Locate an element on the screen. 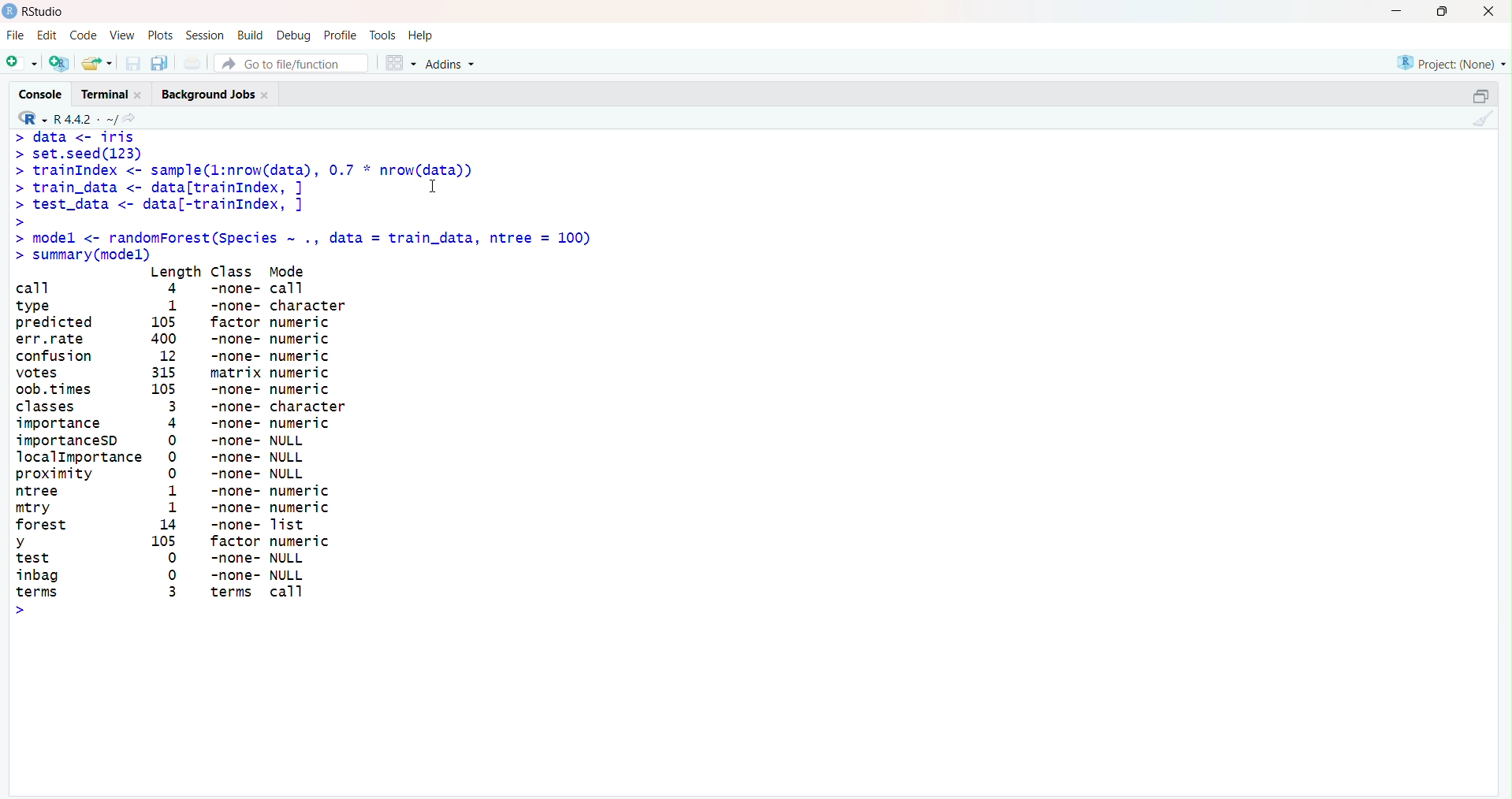 The width and height of the screenshot is (1512, 799). Go to file/function is located at coordinates (290, 61).